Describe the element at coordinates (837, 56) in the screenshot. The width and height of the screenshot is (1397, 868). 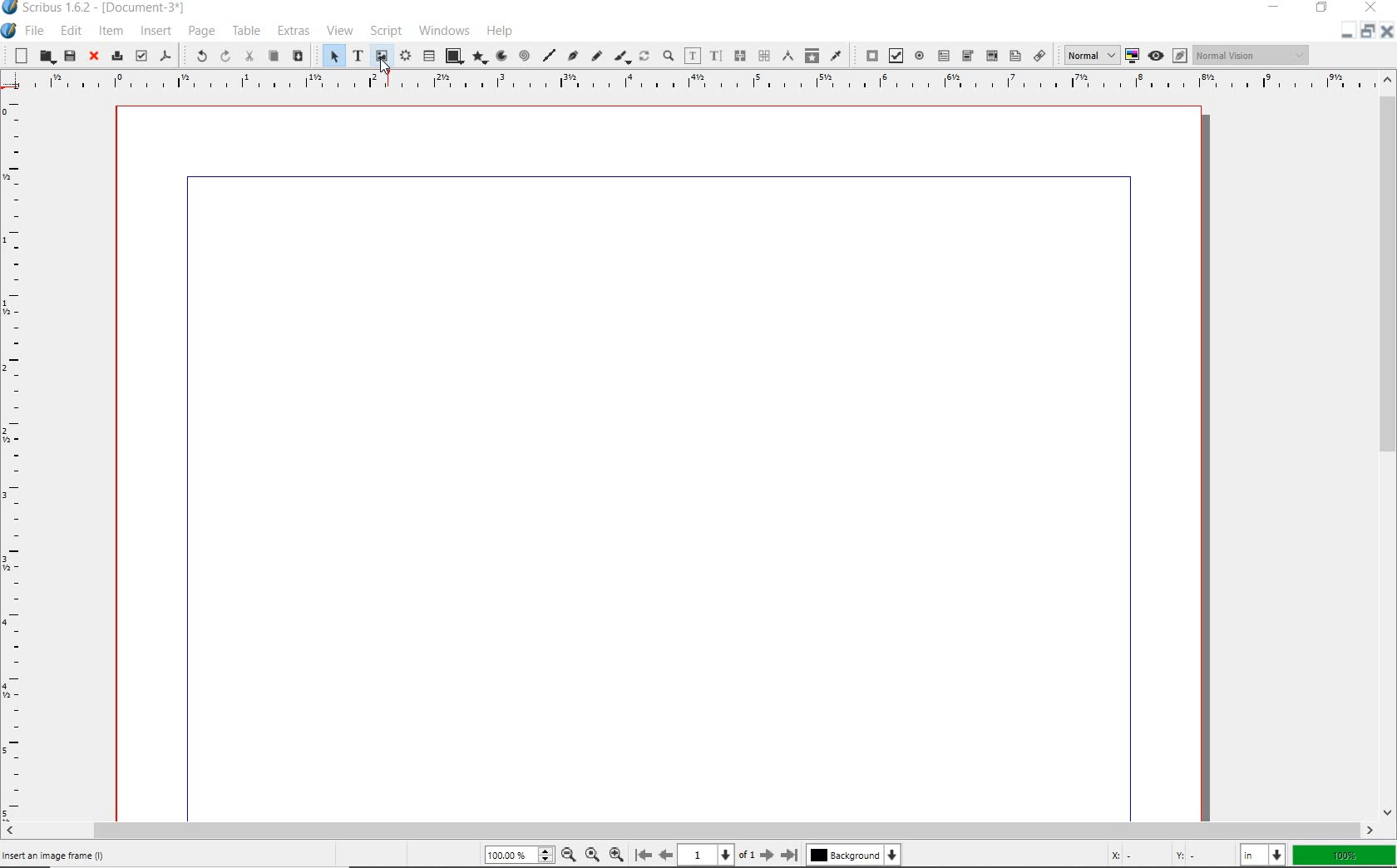
I see `eye dropper` at that location.